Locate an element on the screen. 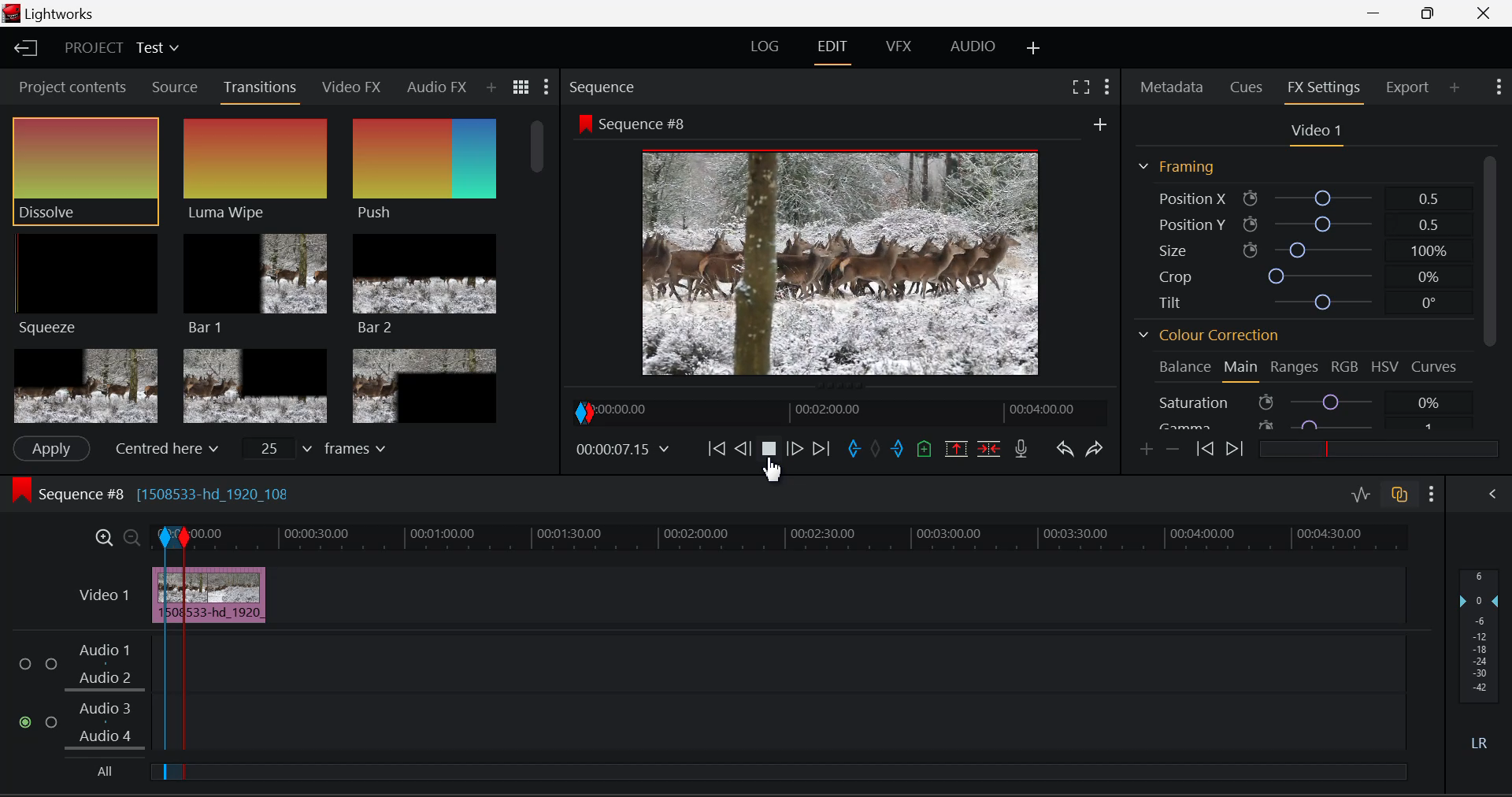  Cursor on Play is located at coordinates (769, 453).